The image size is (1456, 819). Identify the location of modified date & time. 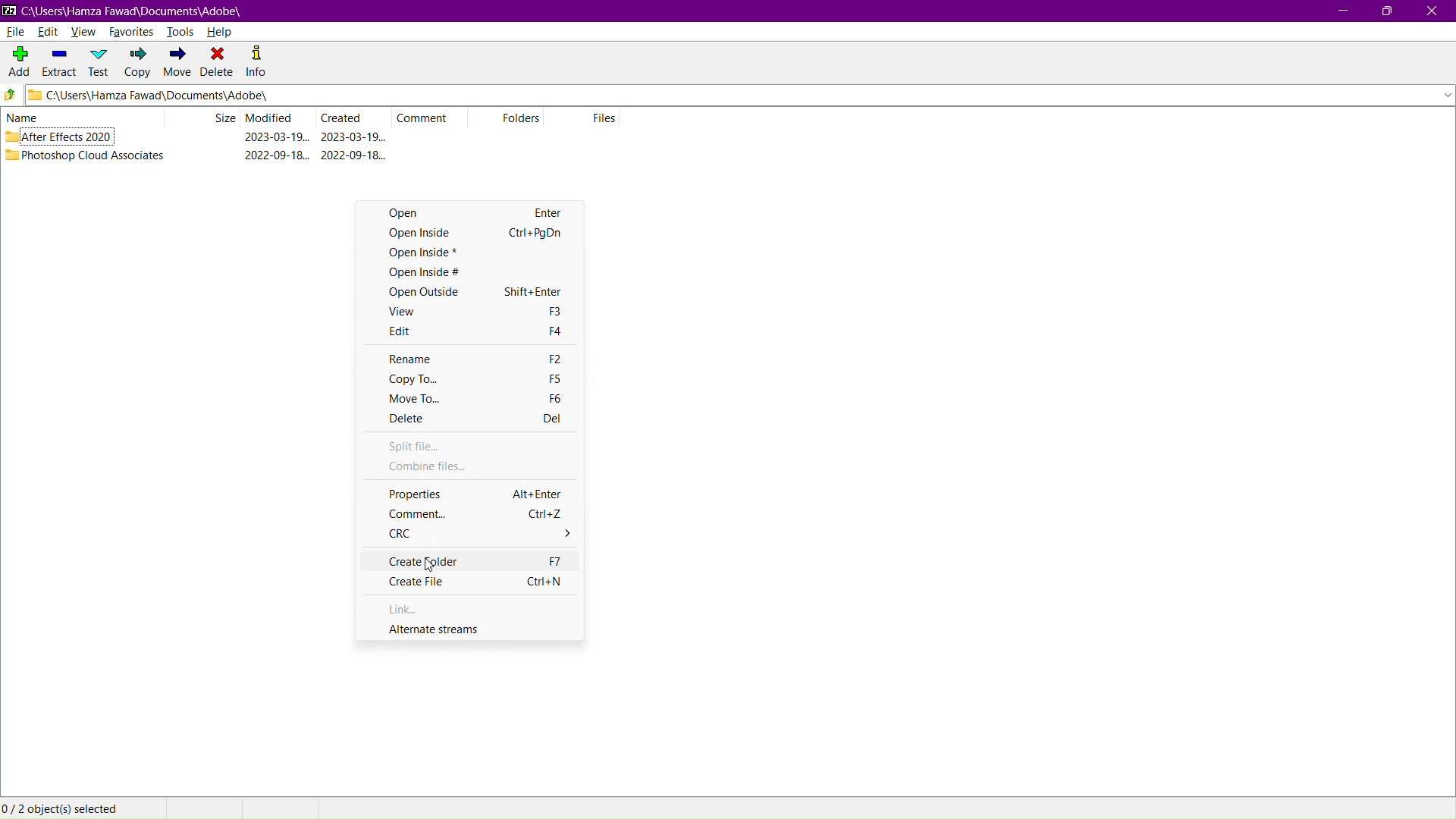
(276, 137).